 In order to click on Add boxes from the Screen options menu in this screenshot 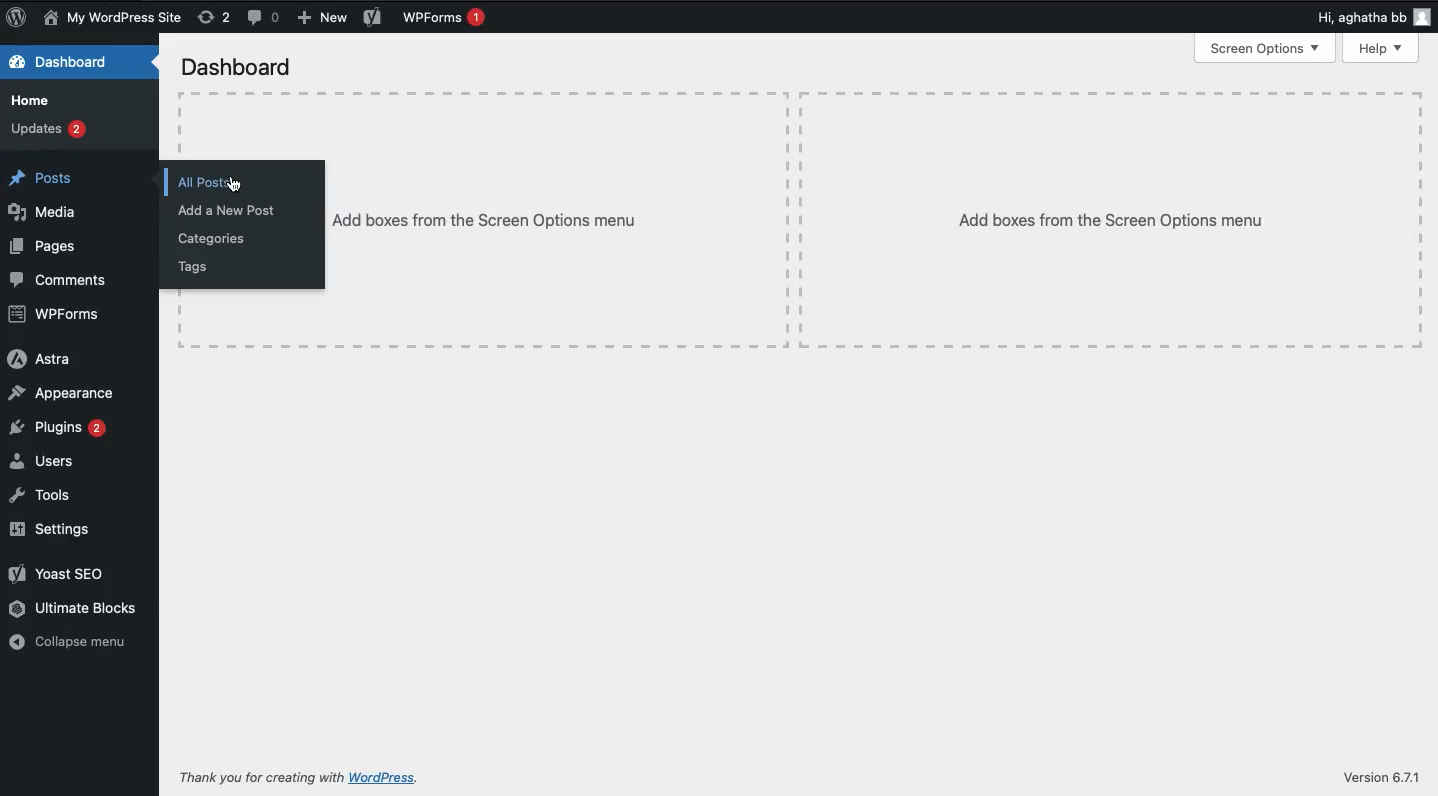, I will do `click(1110, 220)`.